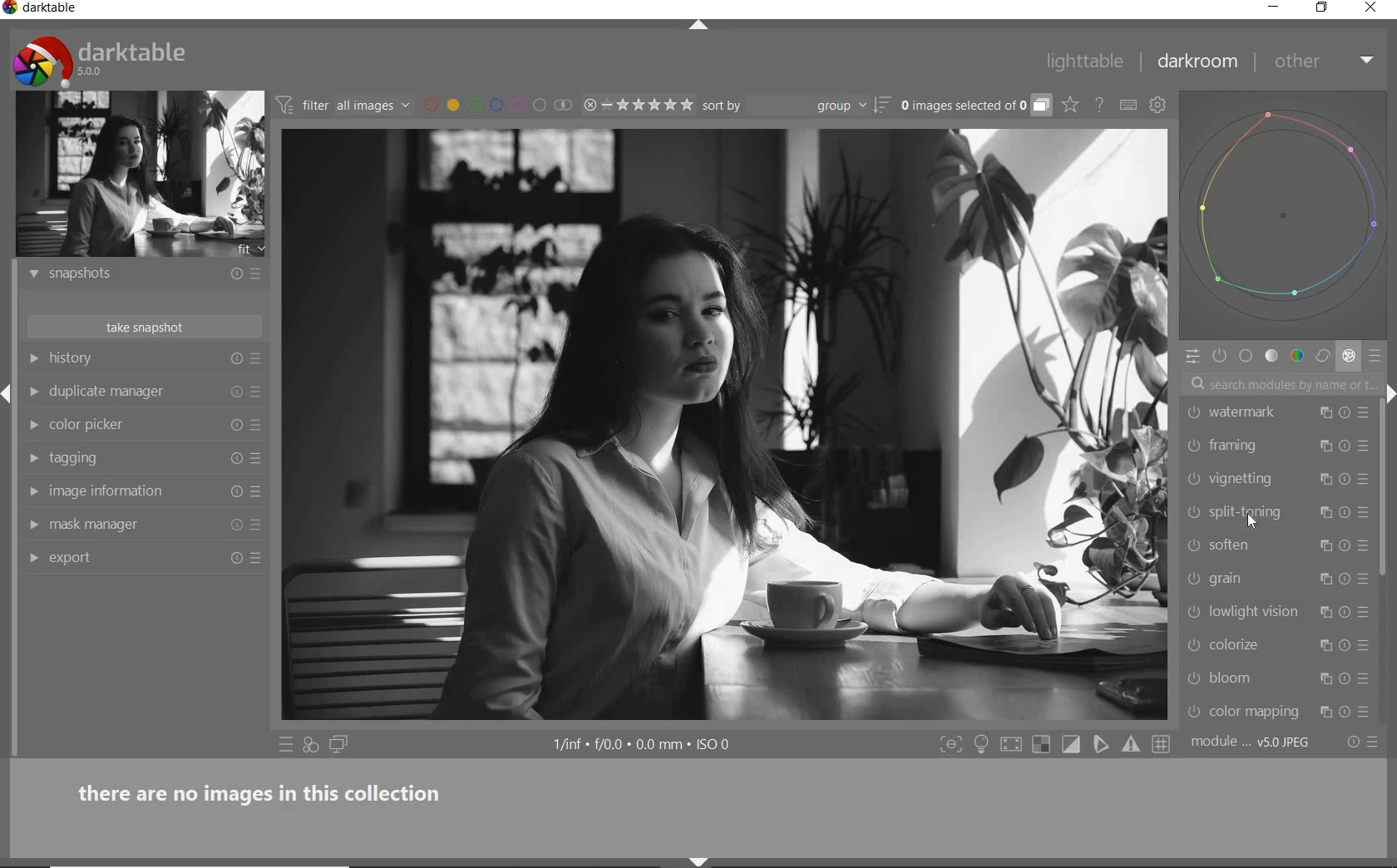  Describe the element at coordinates (1195, 412) in the screenshot. I see `'water mark' is switched off` at that location.